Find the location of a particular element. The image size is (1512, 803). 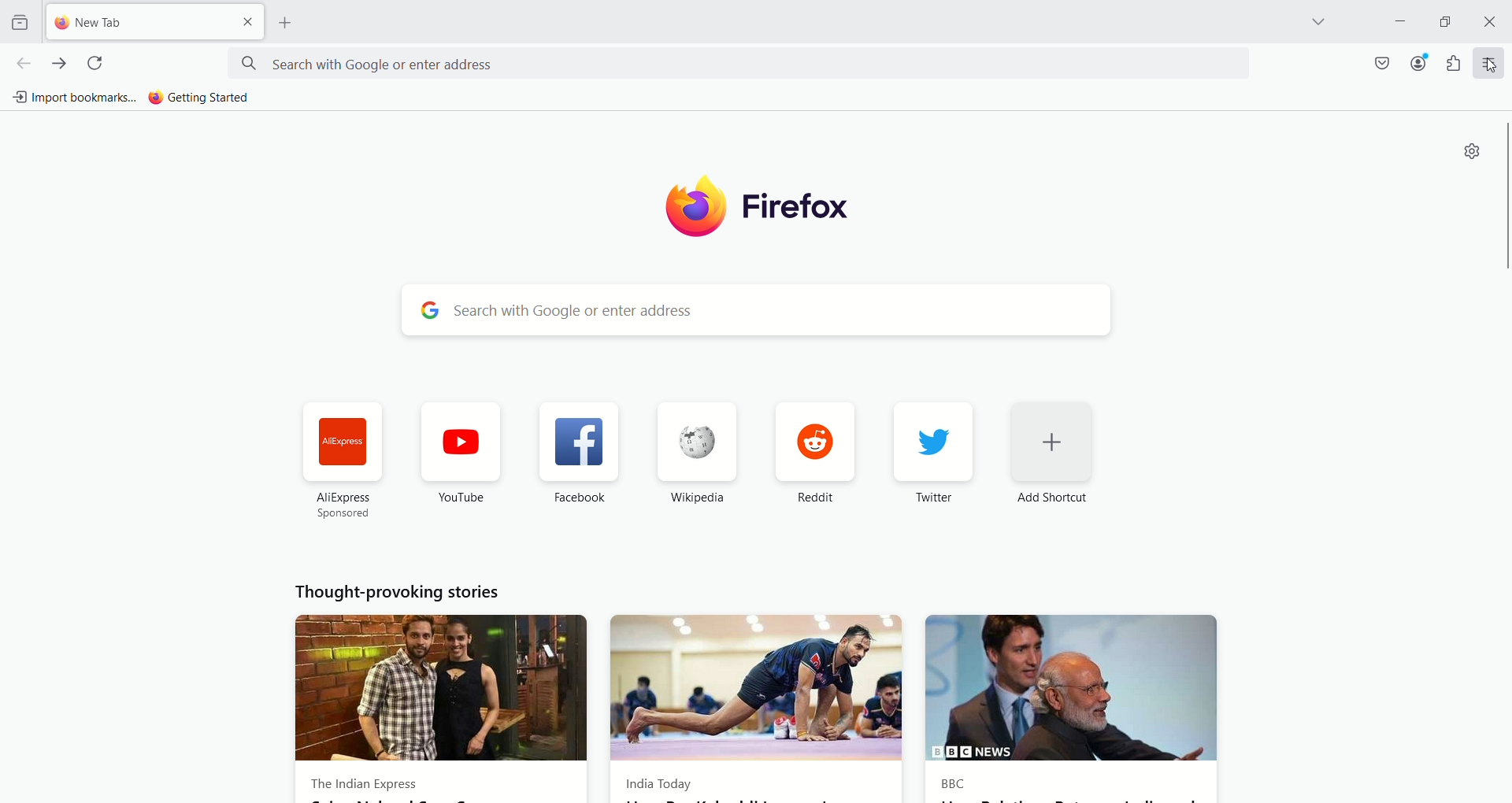

add shortcut is located at coordinates (1050, 457).